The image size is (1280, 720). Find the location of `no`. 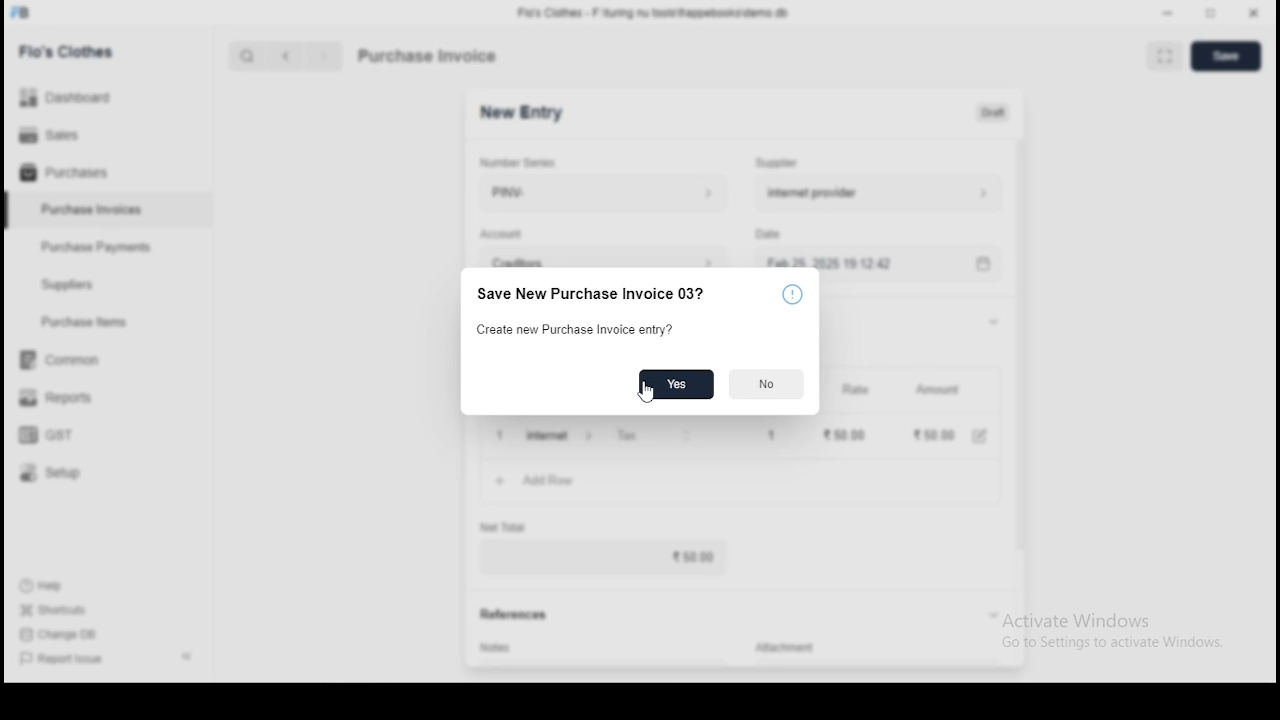

no is located at coordinates (767, 385).